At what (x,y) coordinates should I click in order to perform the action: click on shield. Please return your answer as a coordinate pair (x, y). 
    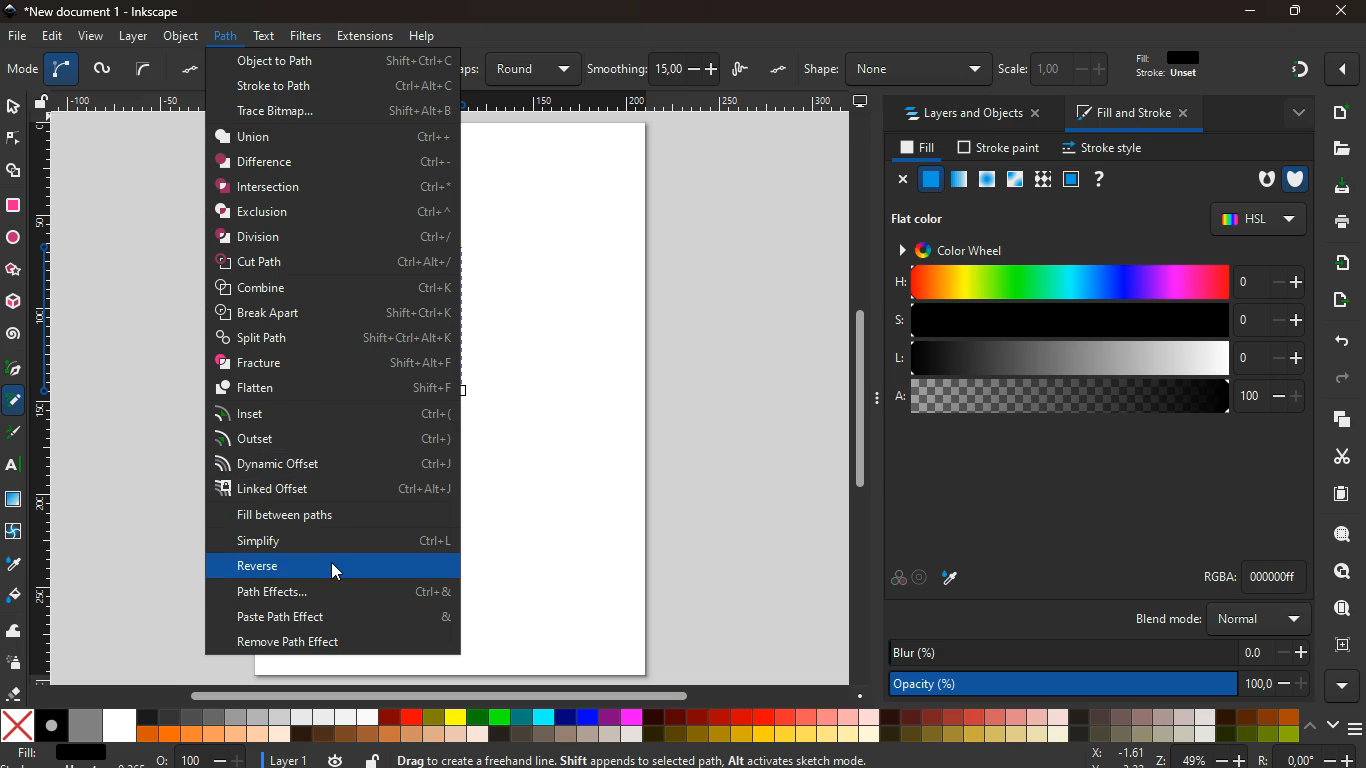
    Looking at the image, I should click on (1297, 179).